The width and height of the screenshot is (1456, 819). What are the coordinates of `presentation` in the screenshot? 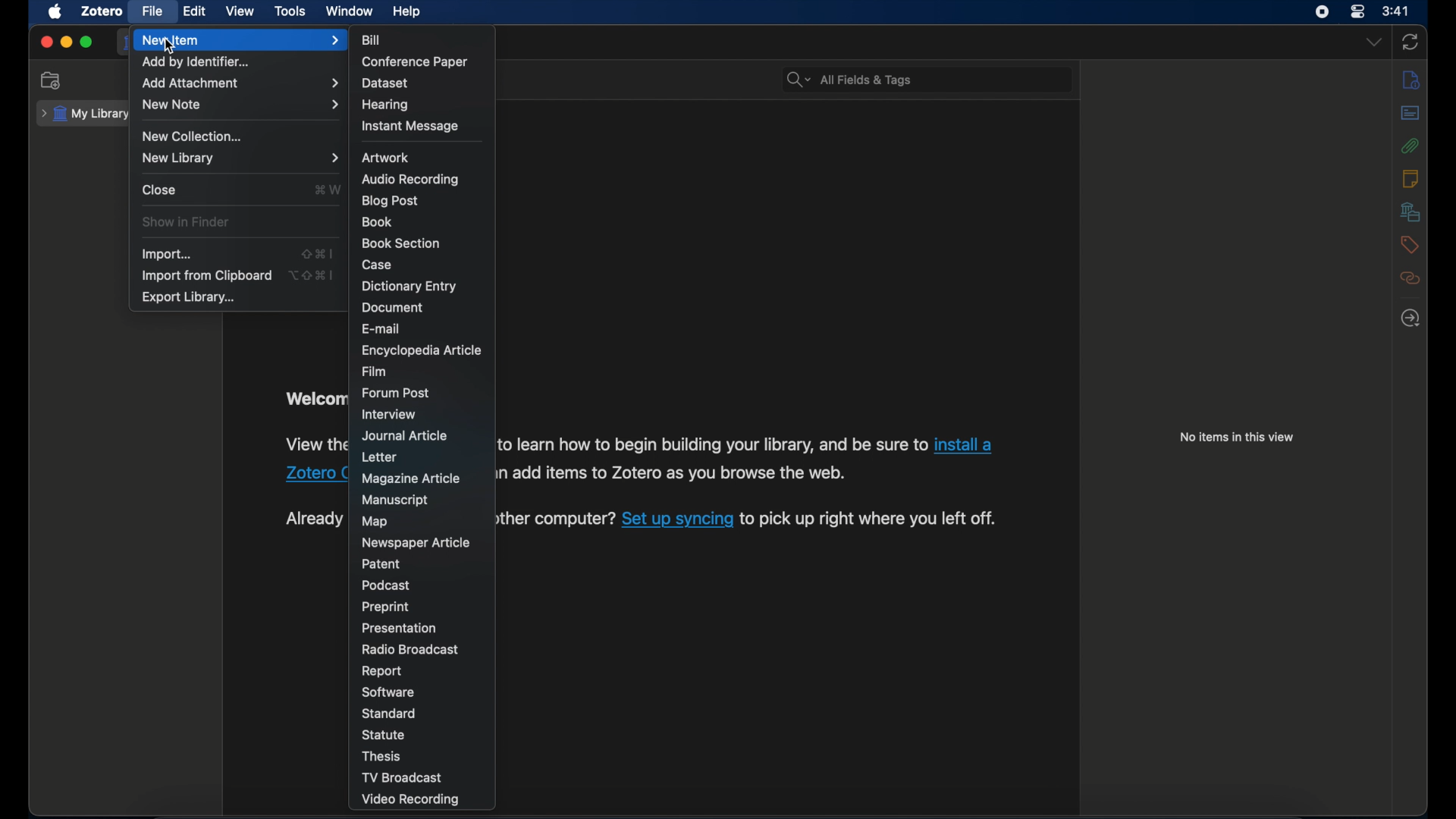 It's located at (400, 629).